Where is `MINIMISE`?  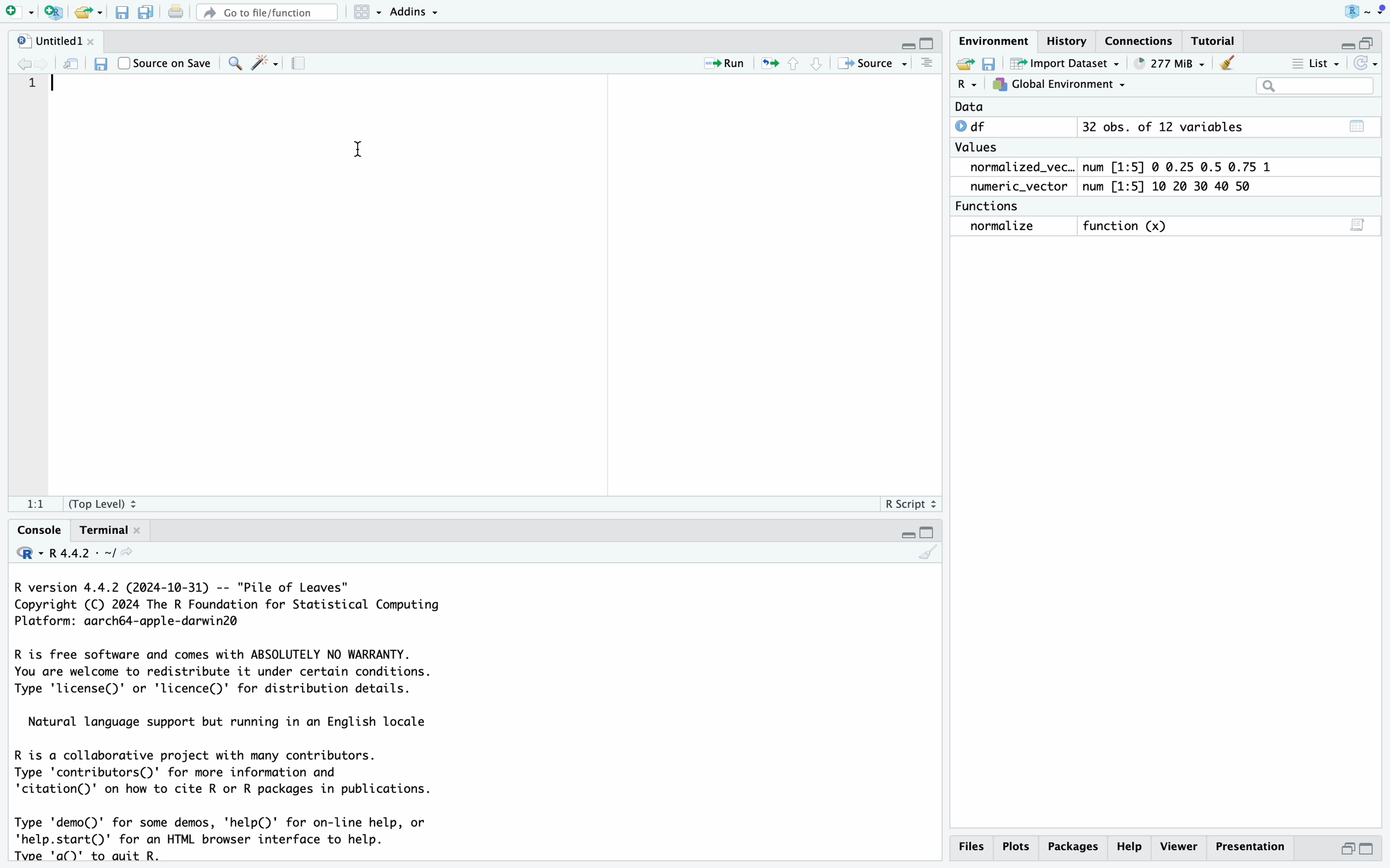 MINIMISE is located at coordinates (907, 41).